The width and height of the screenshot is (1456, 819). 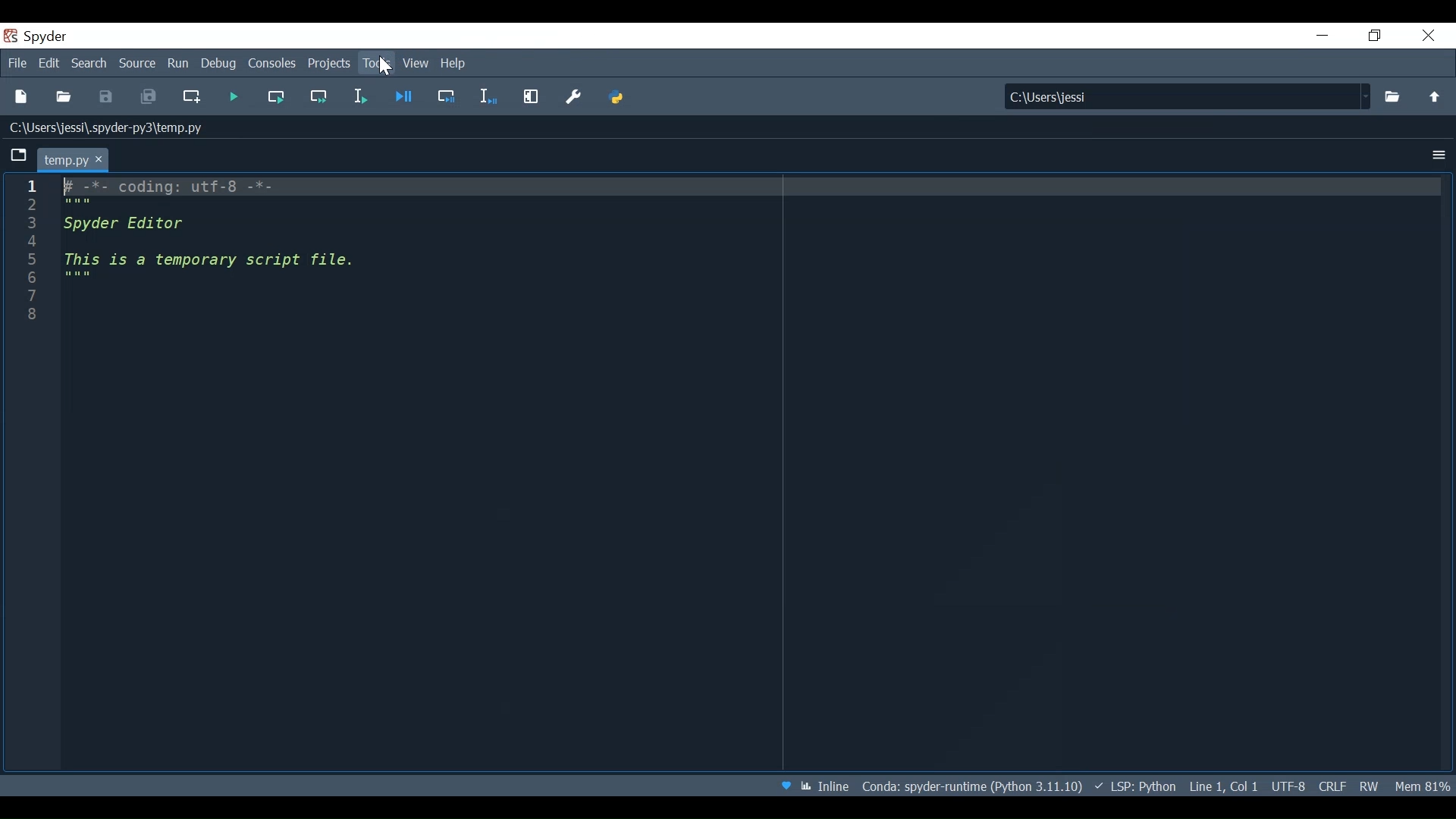 I want to click on New File, so click(x=24, y=98).